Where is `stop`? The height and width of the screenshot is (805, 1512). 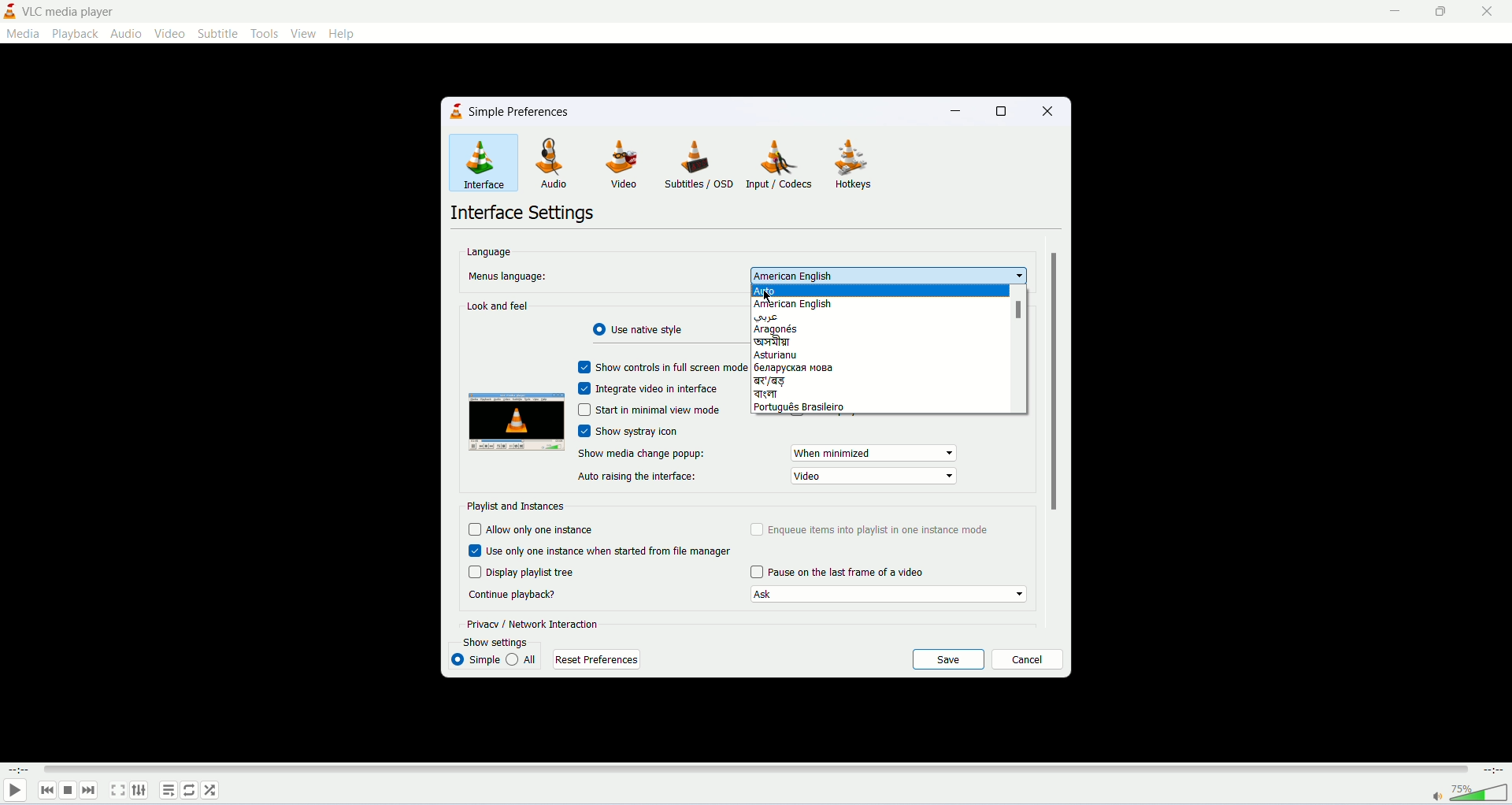
stop is located at coordinates (68, 792).